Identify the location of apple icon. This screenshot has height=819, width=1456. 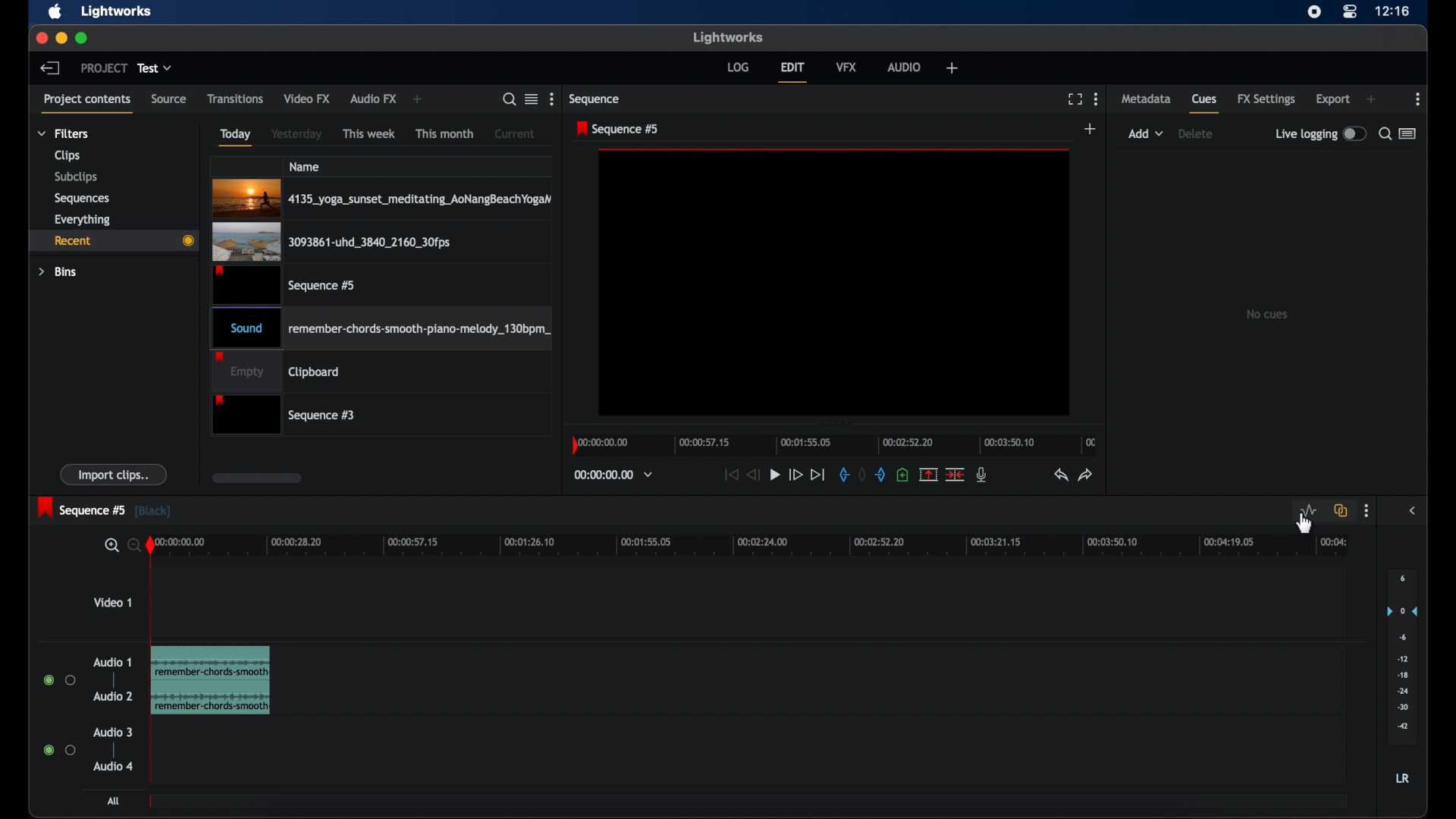
(55, 12).